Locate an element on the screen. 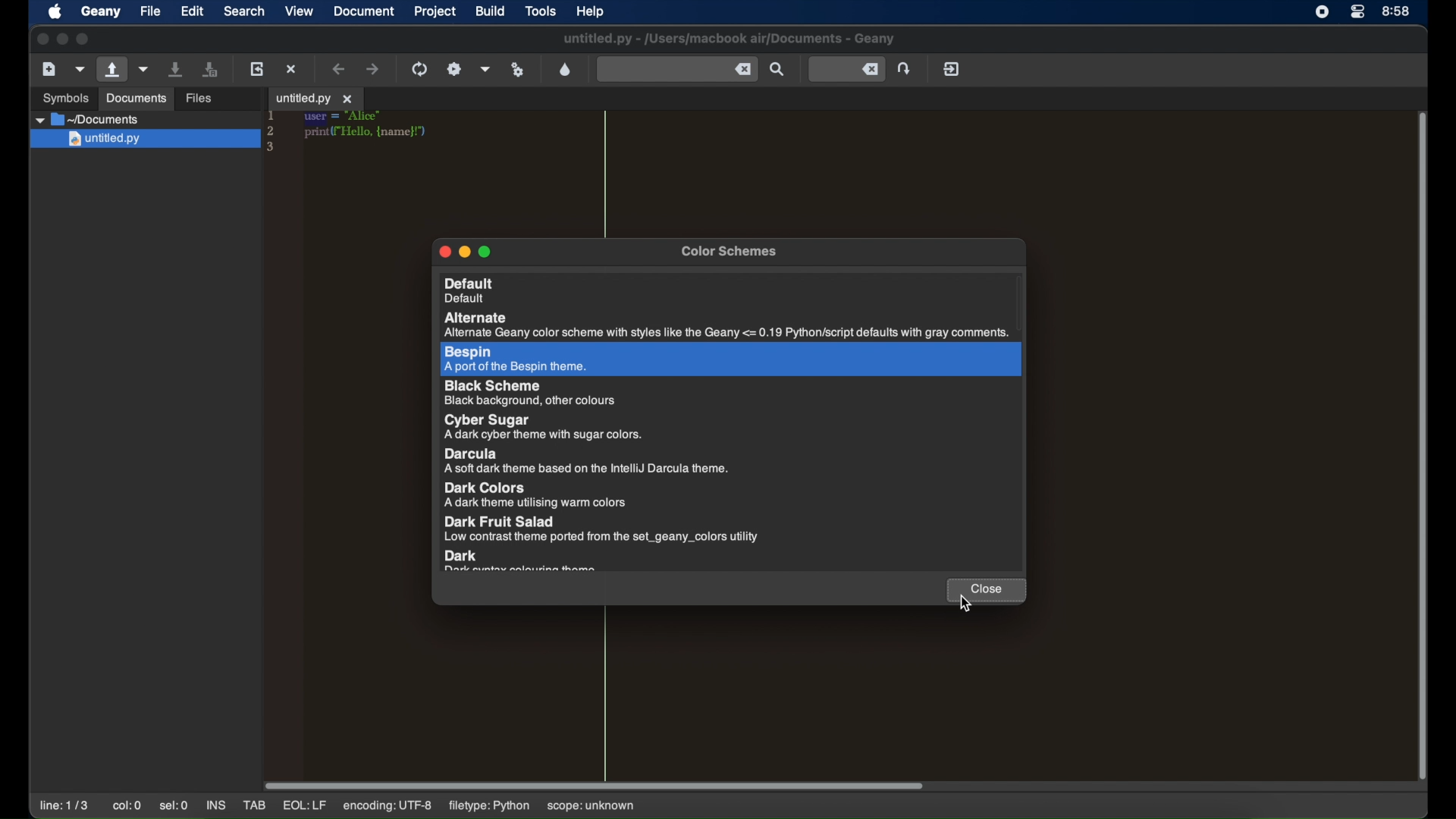 This screenshot has width=1456, height=819. find the entered text in current file is located at coordinates (777, 70).